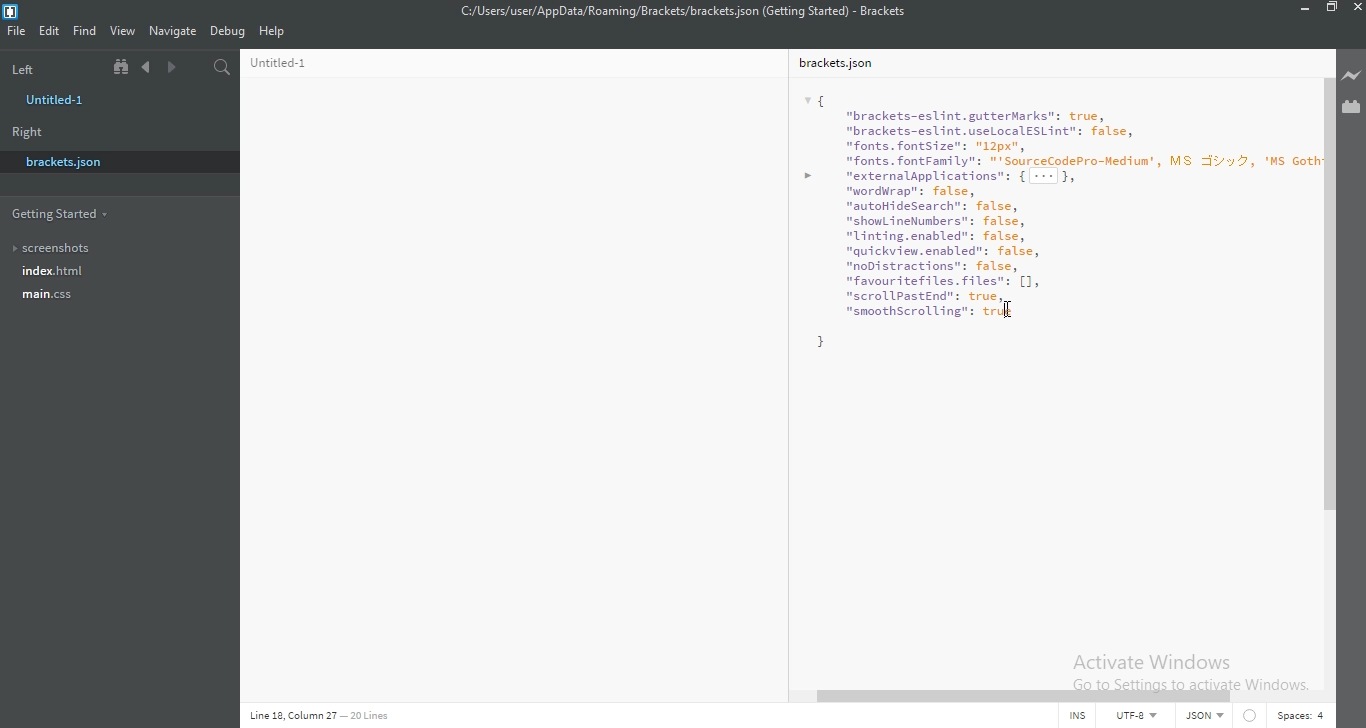 The width and height of the screenshot is (1366, 728). Describe the element at coordinates (1330, 293) in the screenshot. I see `scroll bar` at that location.